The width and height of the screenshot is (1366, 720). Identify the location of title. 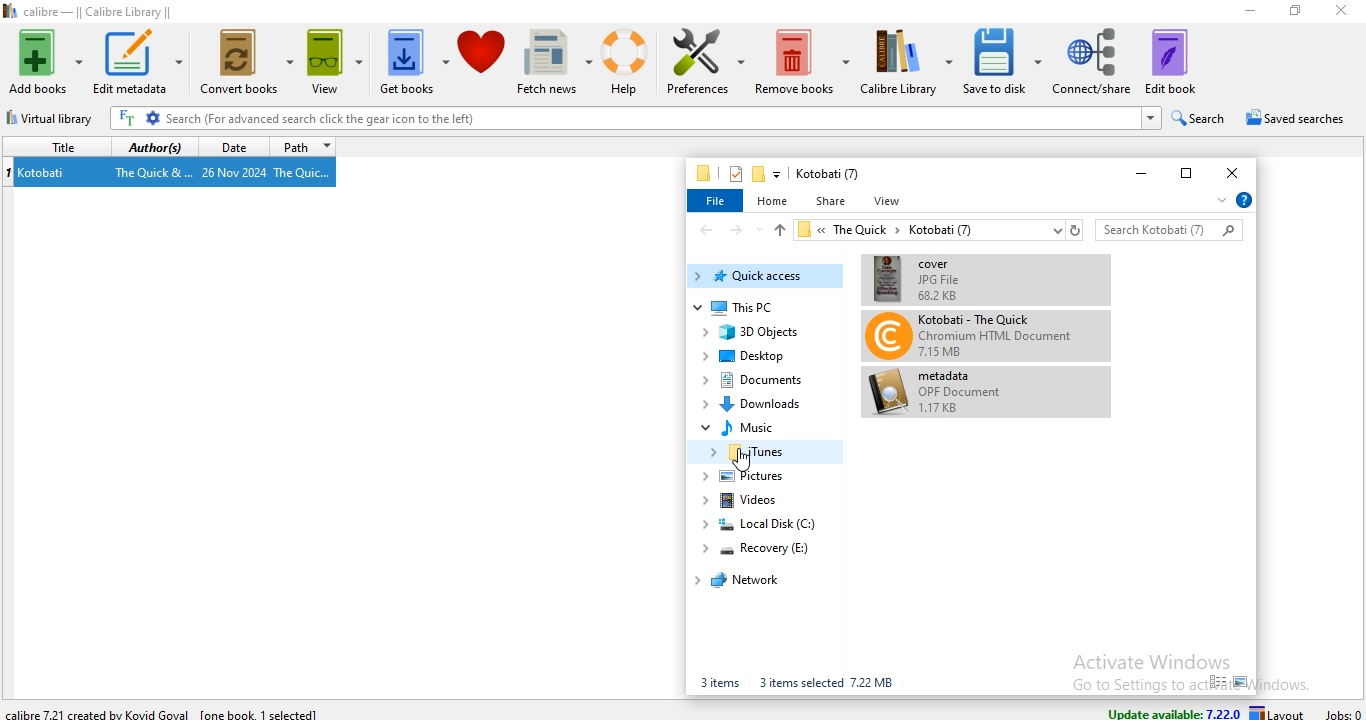
(53, 145).